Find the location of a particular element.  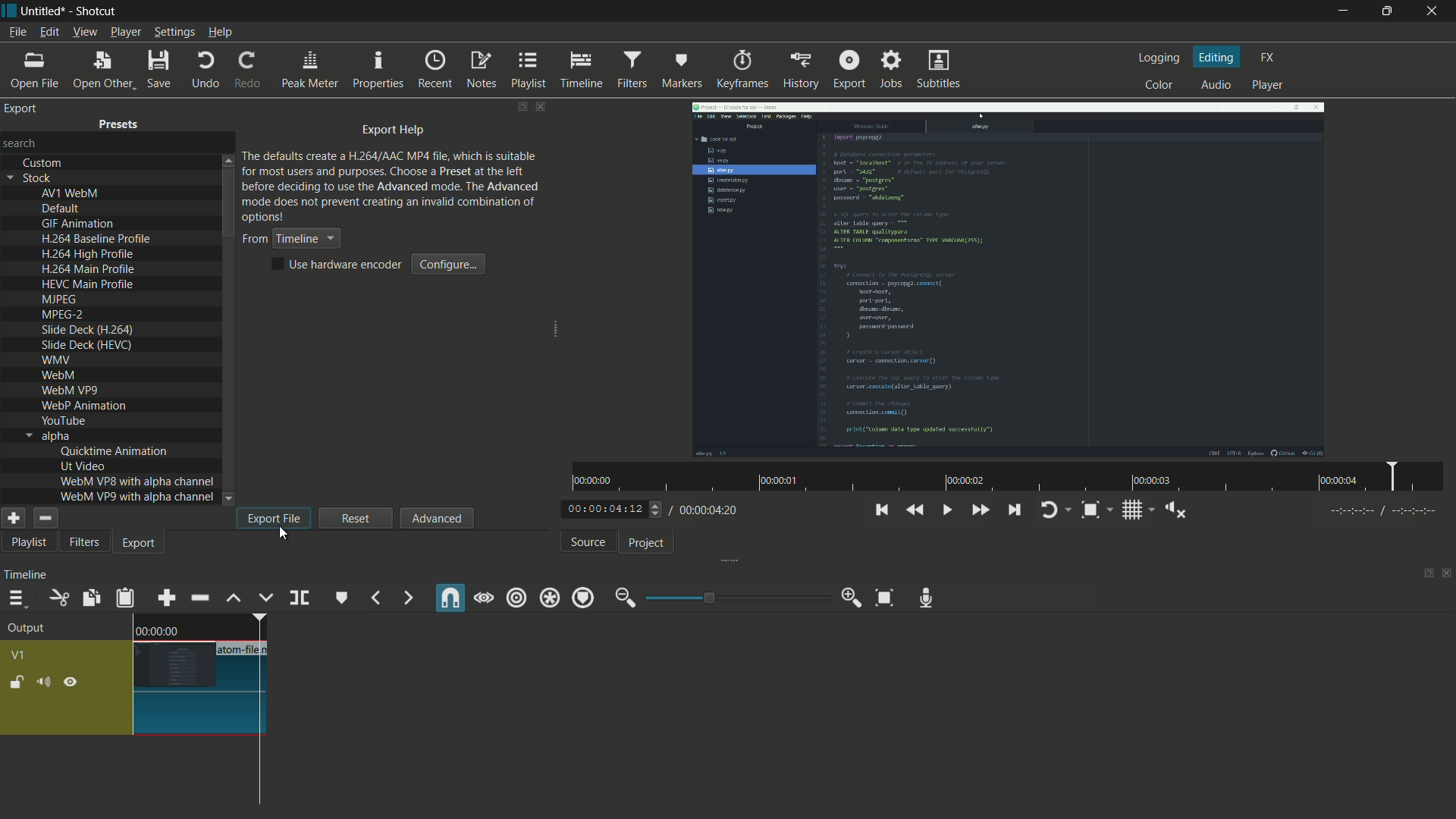

scroll down is located at coordinates (230, 499).